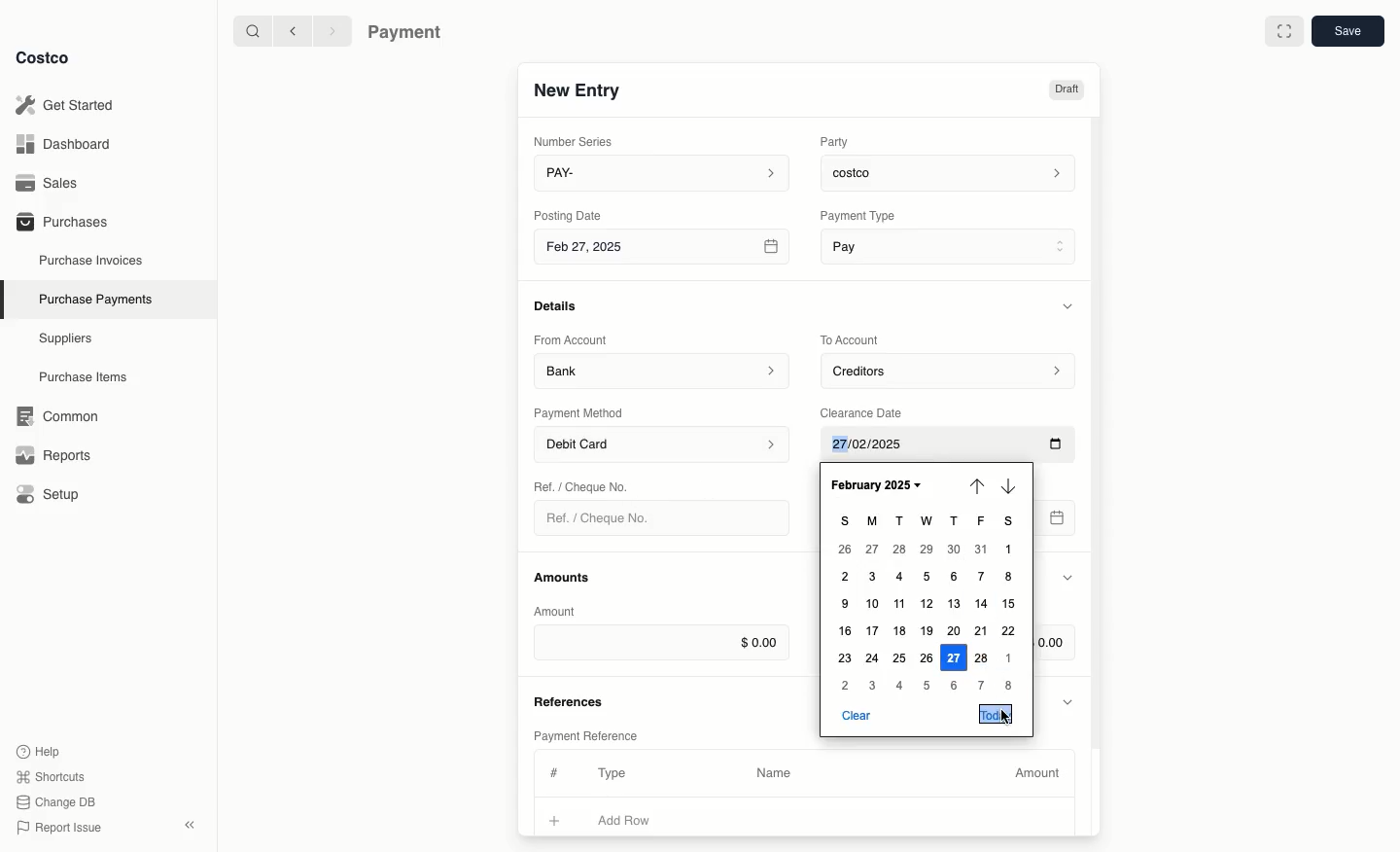 The width and height of the screenshot is (1400, 852). I want to click on Number Series, so click(577, 141).